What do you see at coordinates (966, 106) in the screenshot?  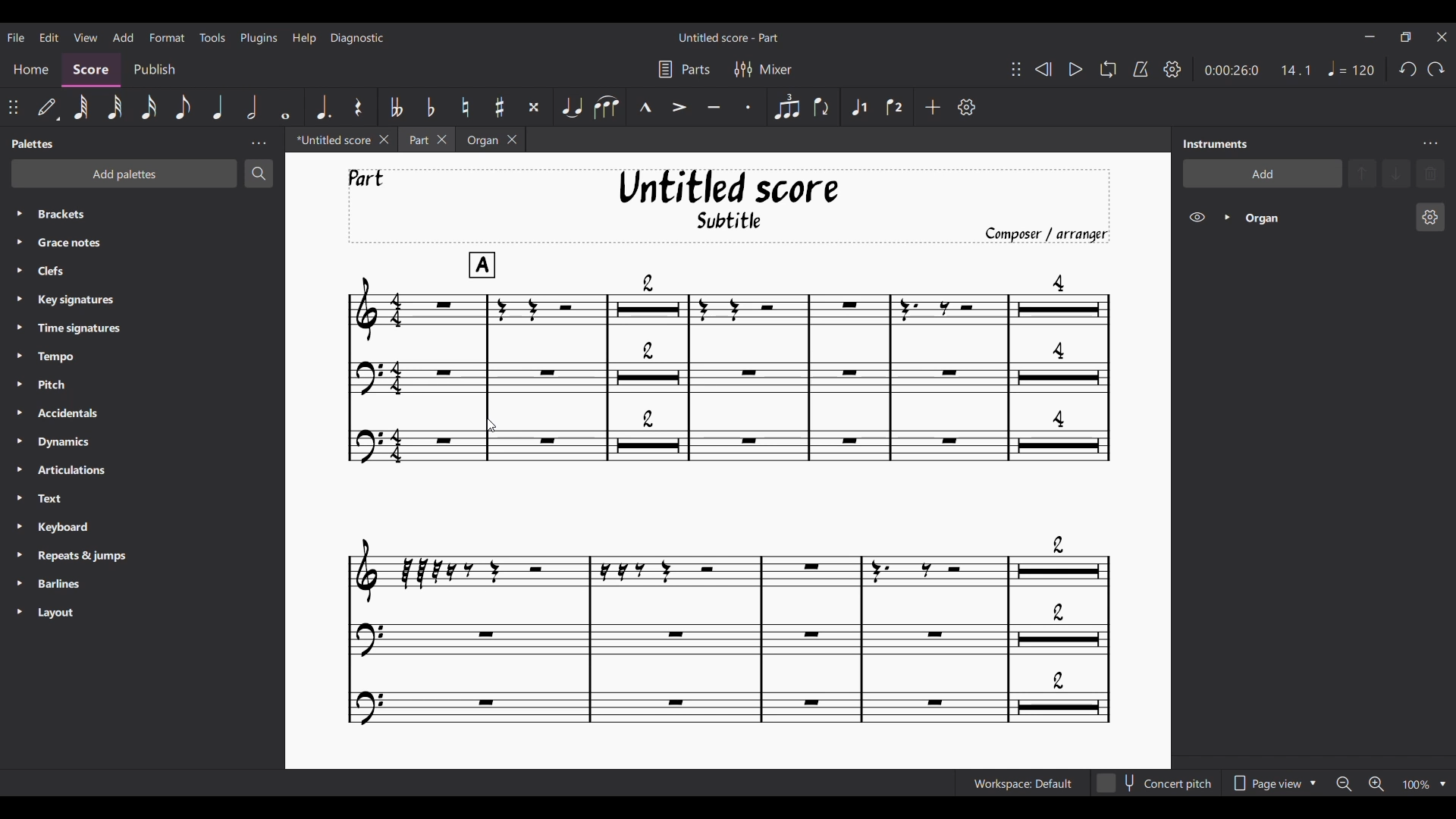 I see `Customize toolbar` at bounding box center [966, 106].